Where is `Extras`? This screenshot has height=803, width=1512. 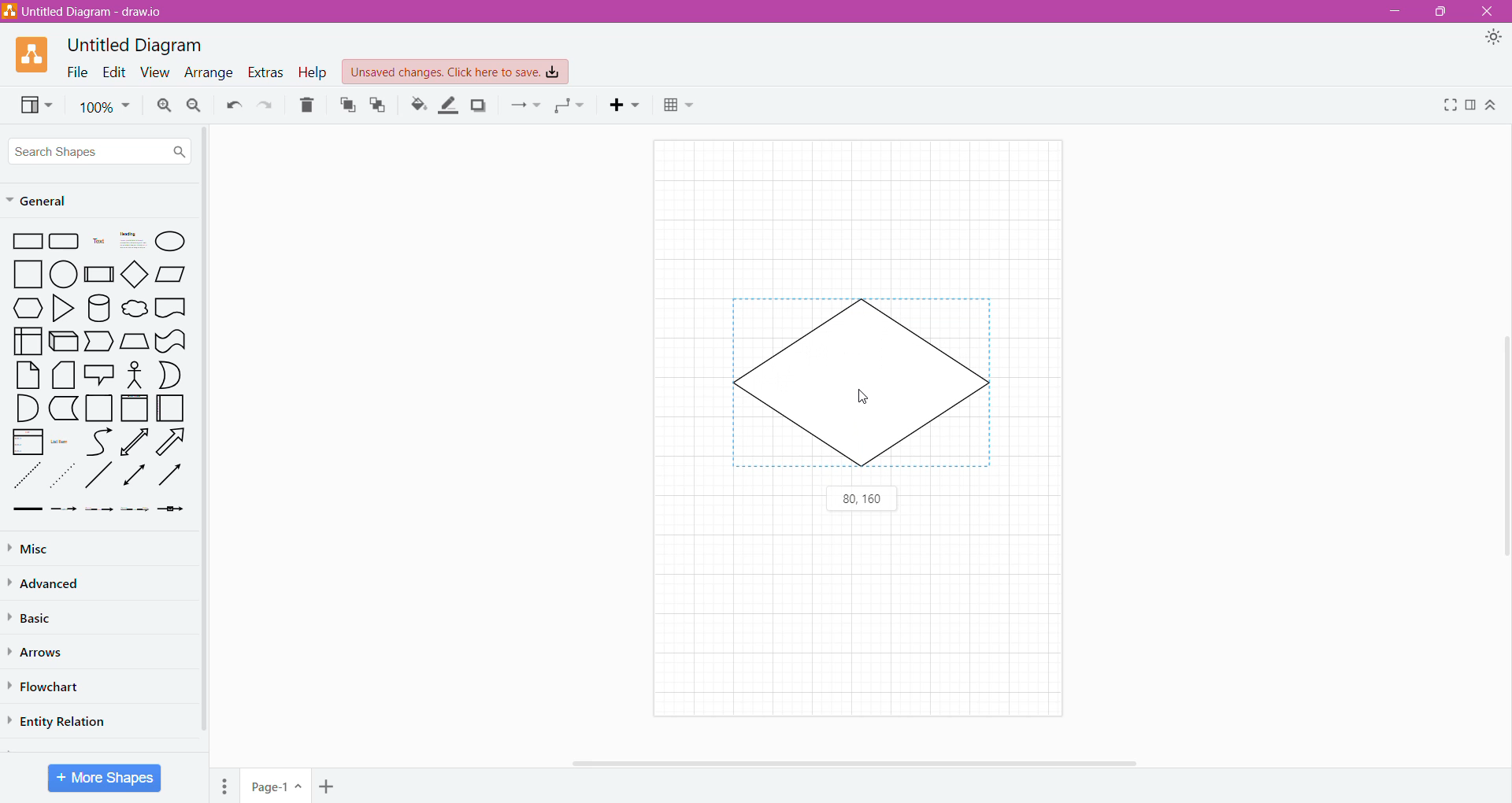 Extras is located at coordinates (265, 72).